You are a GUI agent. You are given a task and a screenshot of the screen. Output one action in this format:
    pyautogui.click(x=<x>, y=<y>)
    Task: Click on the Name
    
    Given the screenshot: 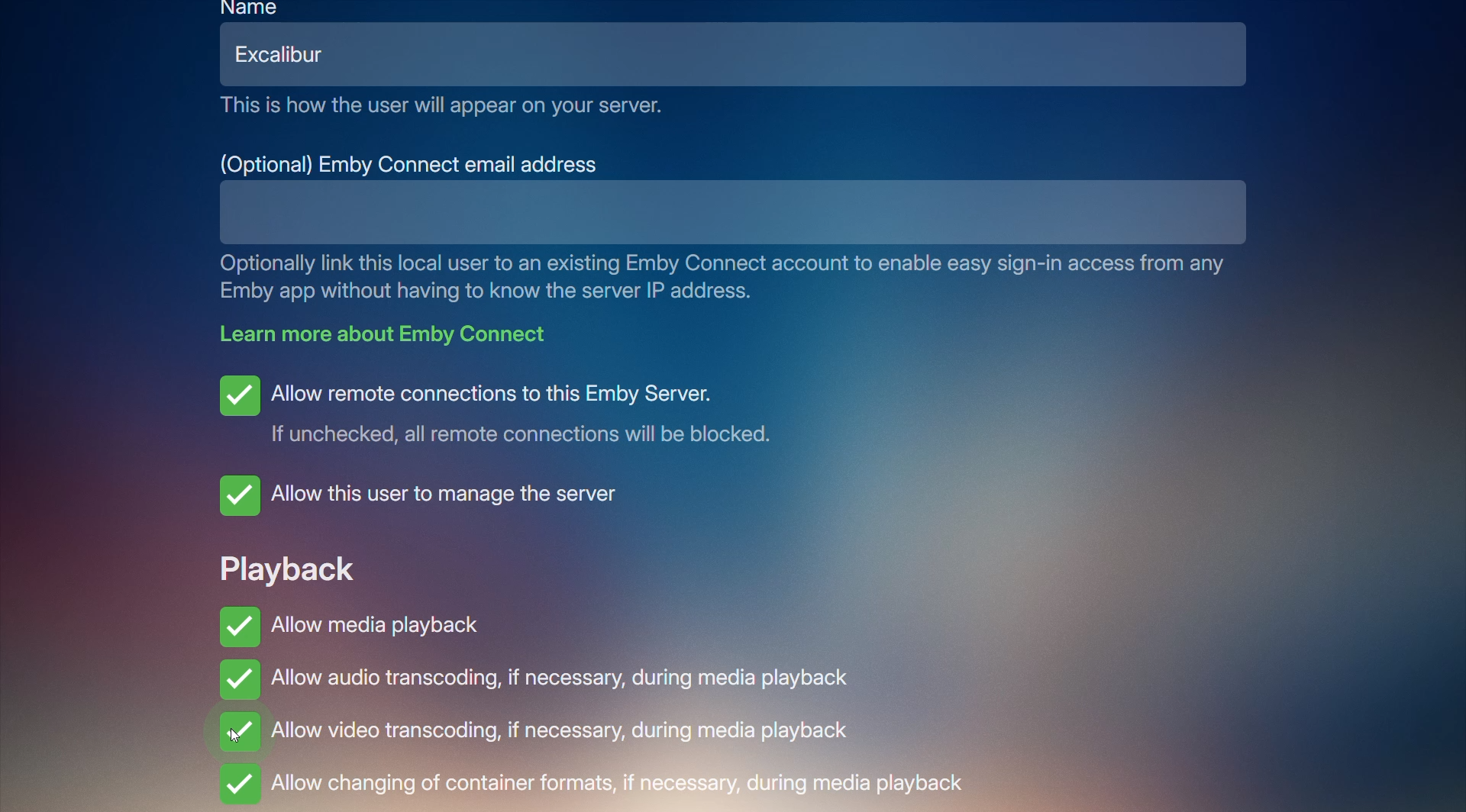 What is the action you would take?
    pyautogui.click(x=252, y=8)
    